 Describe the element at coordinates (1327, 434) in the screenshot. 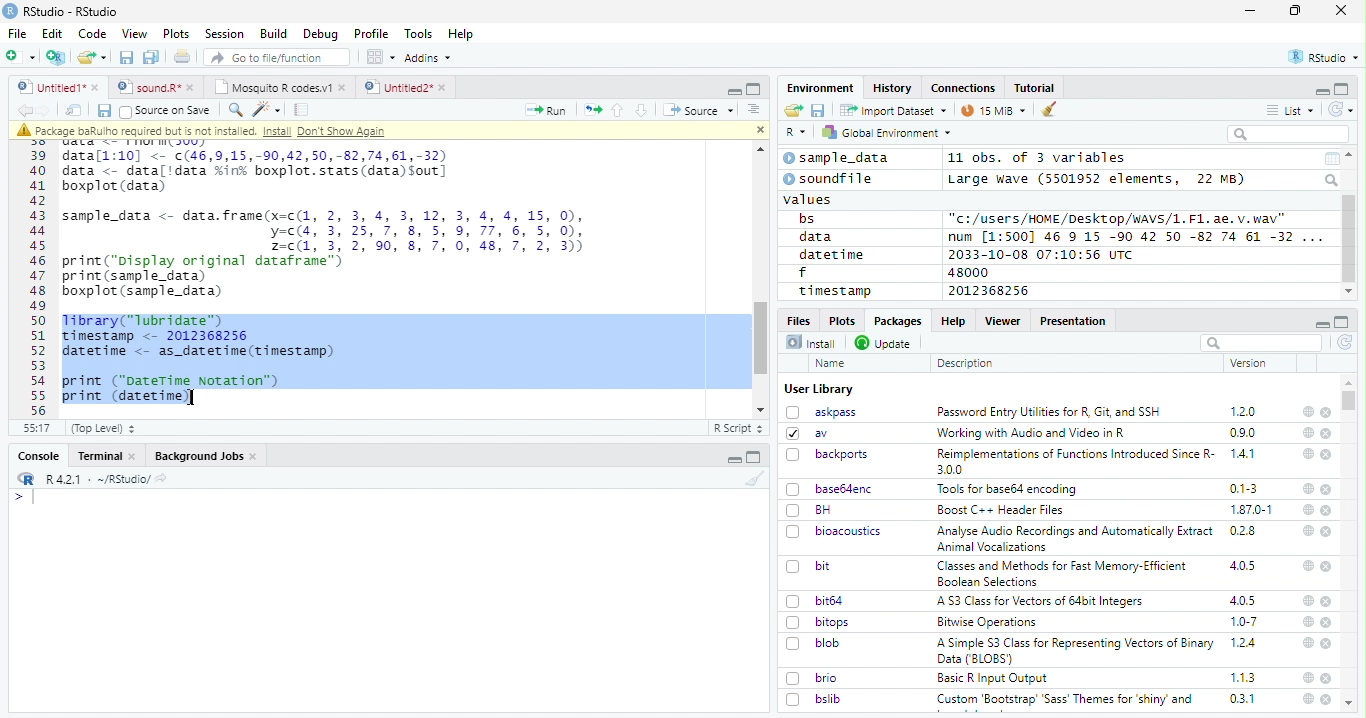

I see `close` at that location.